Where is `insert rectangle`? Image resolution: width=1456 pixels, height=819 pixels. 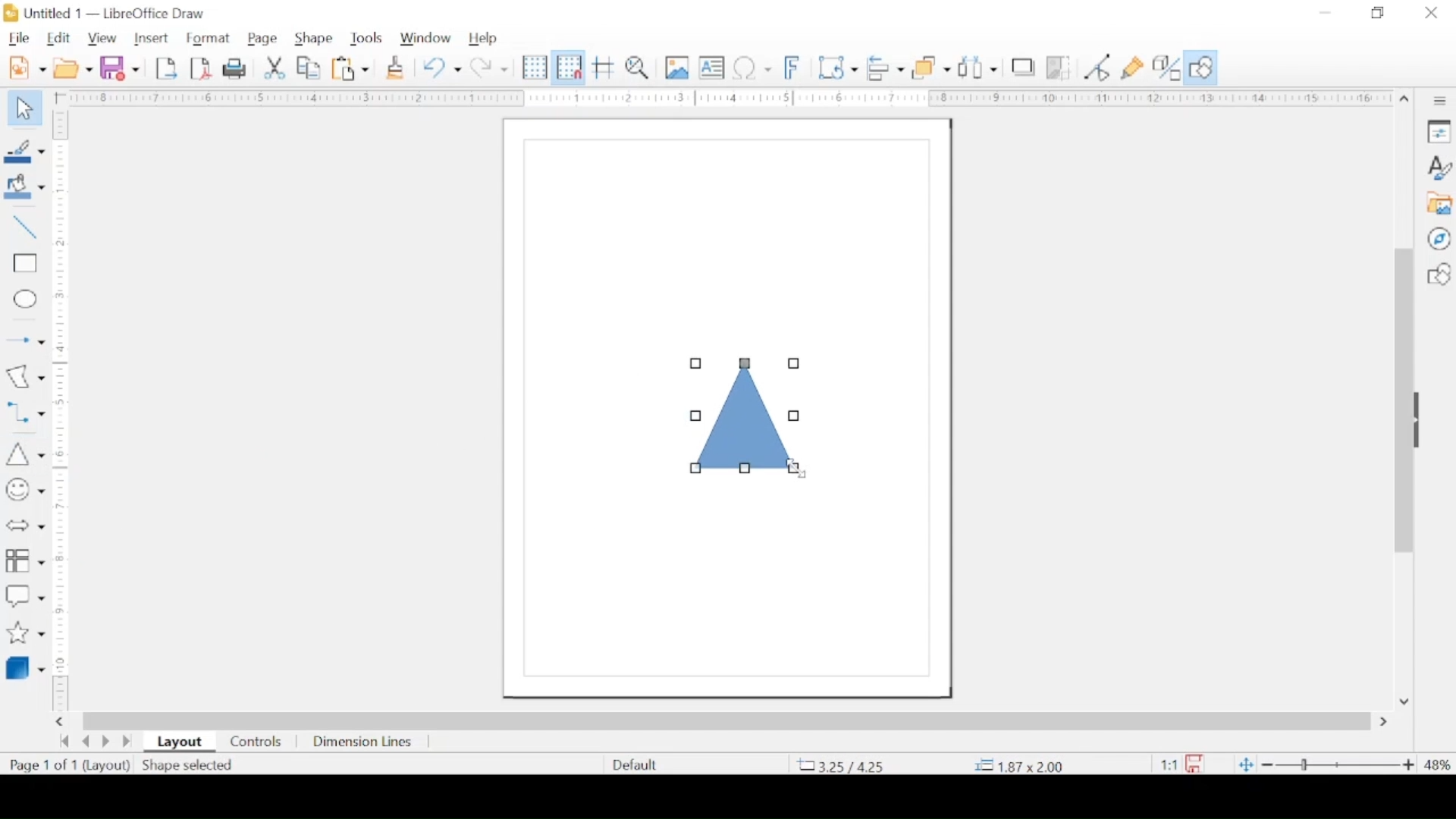 insert rectangle is located at coordinates (24, 265).